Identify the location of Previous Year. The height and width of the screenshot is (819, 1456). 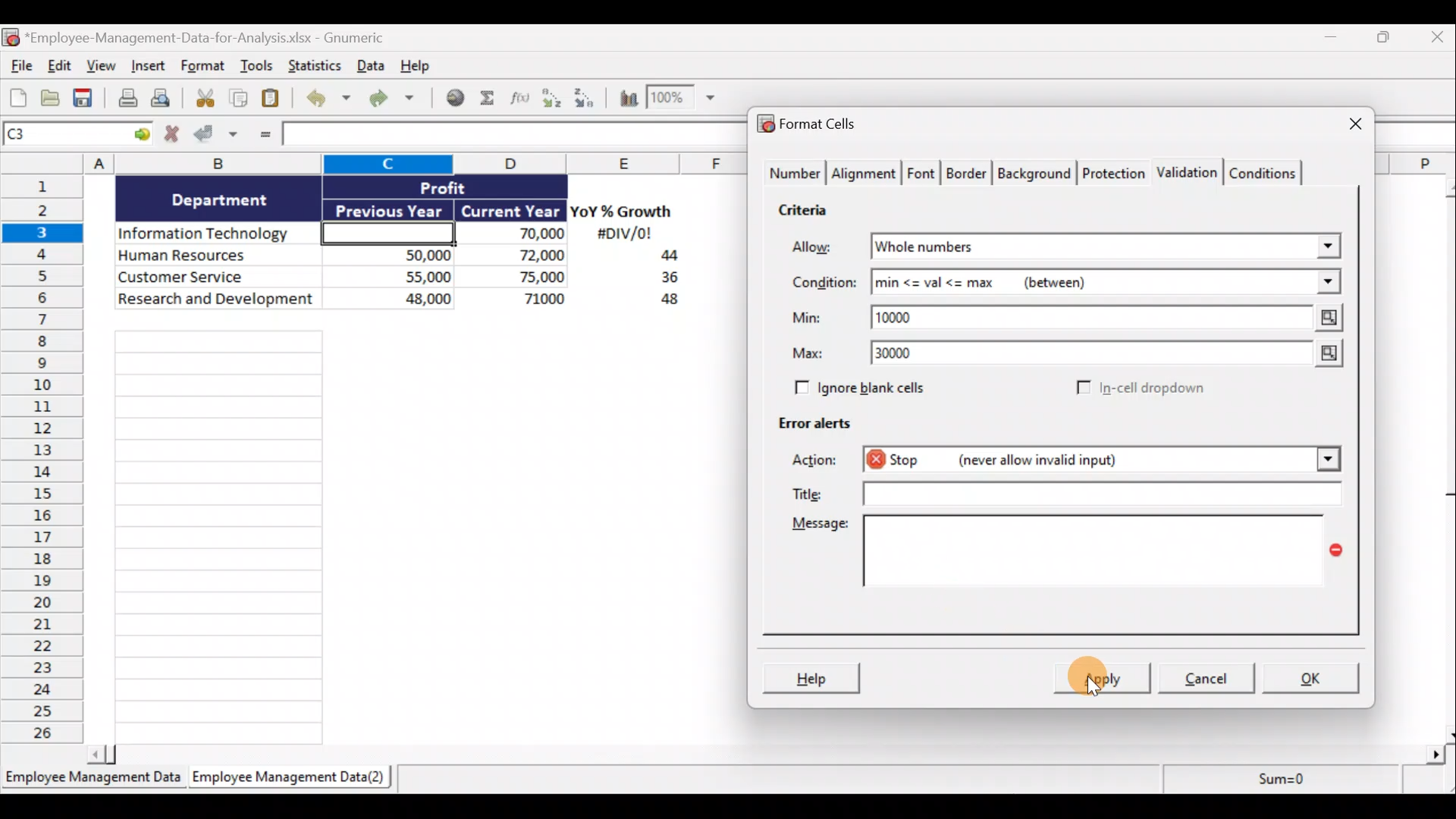
(390, 208).